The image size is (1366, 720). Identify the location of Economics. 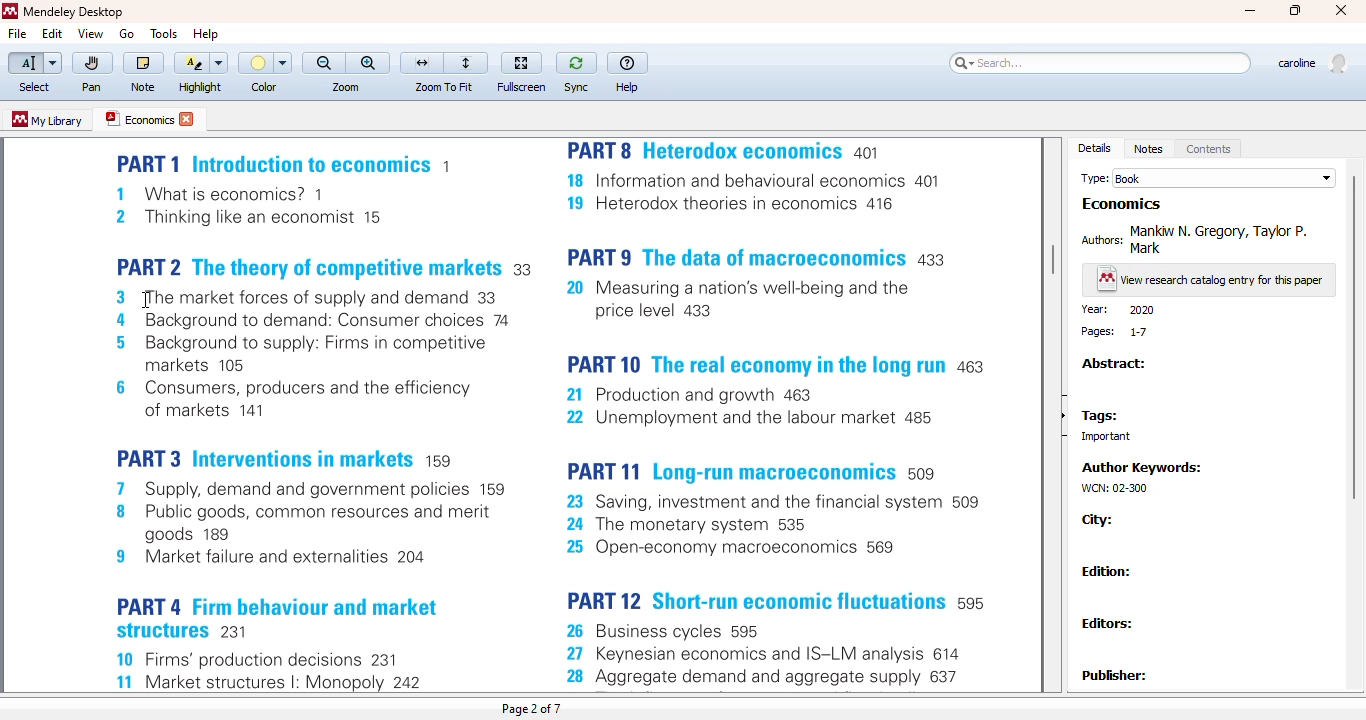
(1121, 202).